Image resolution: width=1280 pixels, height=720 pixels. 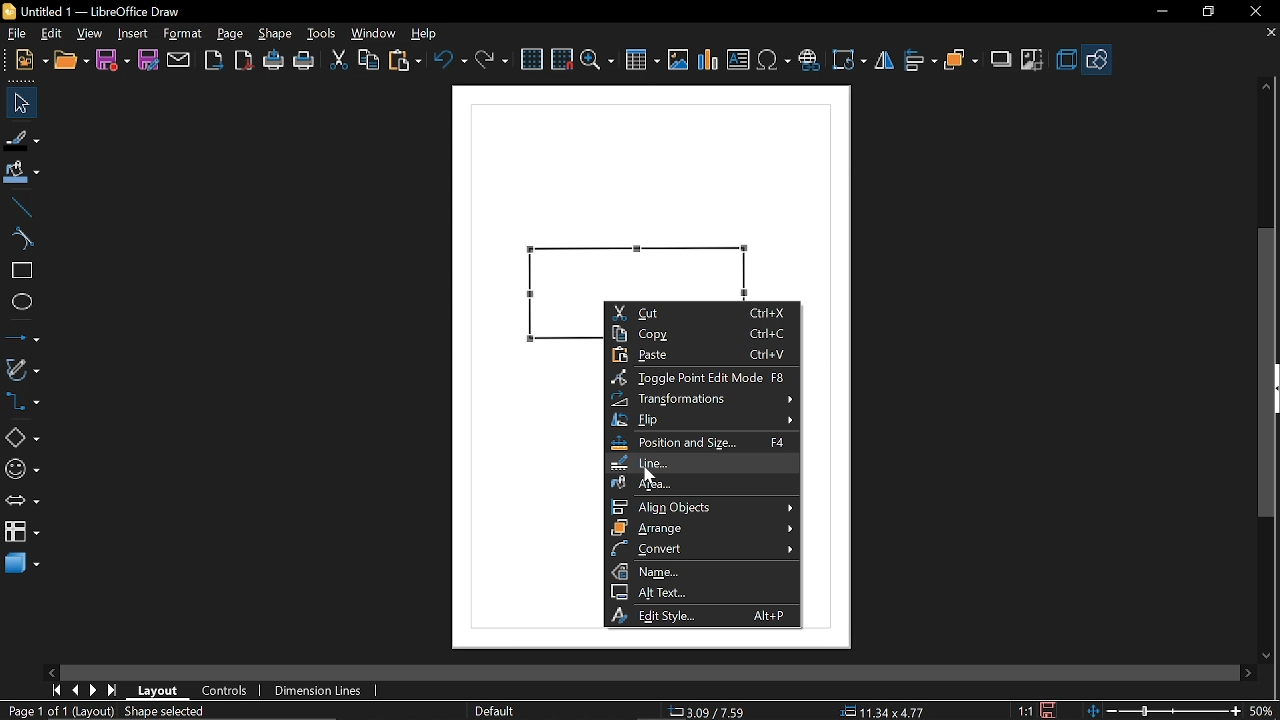 What do you see at coordinates (177, 61) in the screenshot?
I see `attach` at bounding box center [177, 61].